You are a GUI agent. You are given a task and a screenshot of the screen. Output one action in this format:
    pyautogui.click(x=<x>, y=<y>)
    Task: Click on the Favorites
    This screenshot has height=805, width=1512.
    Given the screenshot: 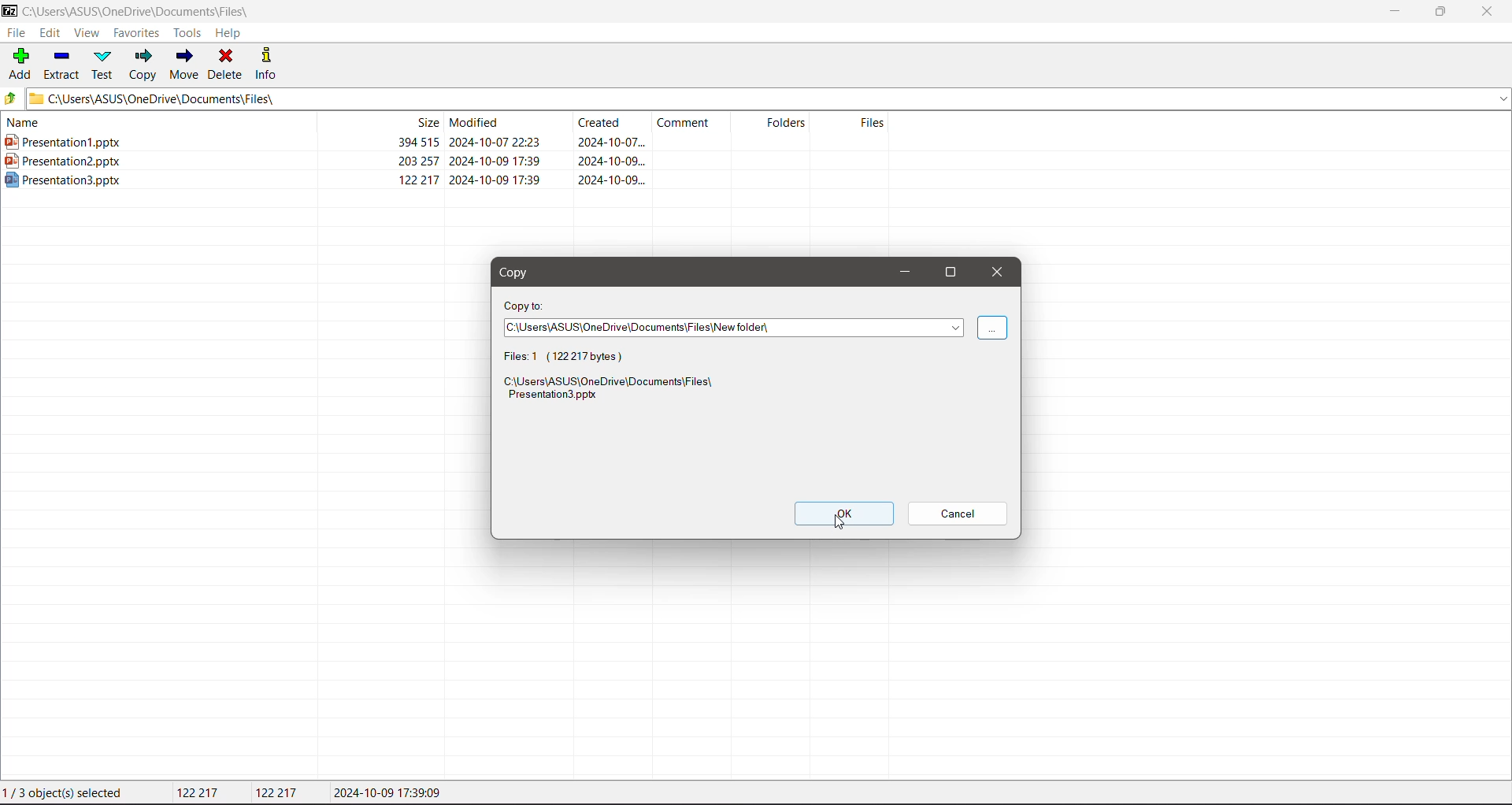 What is the action you would take?
    pyautogui.click(x=137, y=32)
    